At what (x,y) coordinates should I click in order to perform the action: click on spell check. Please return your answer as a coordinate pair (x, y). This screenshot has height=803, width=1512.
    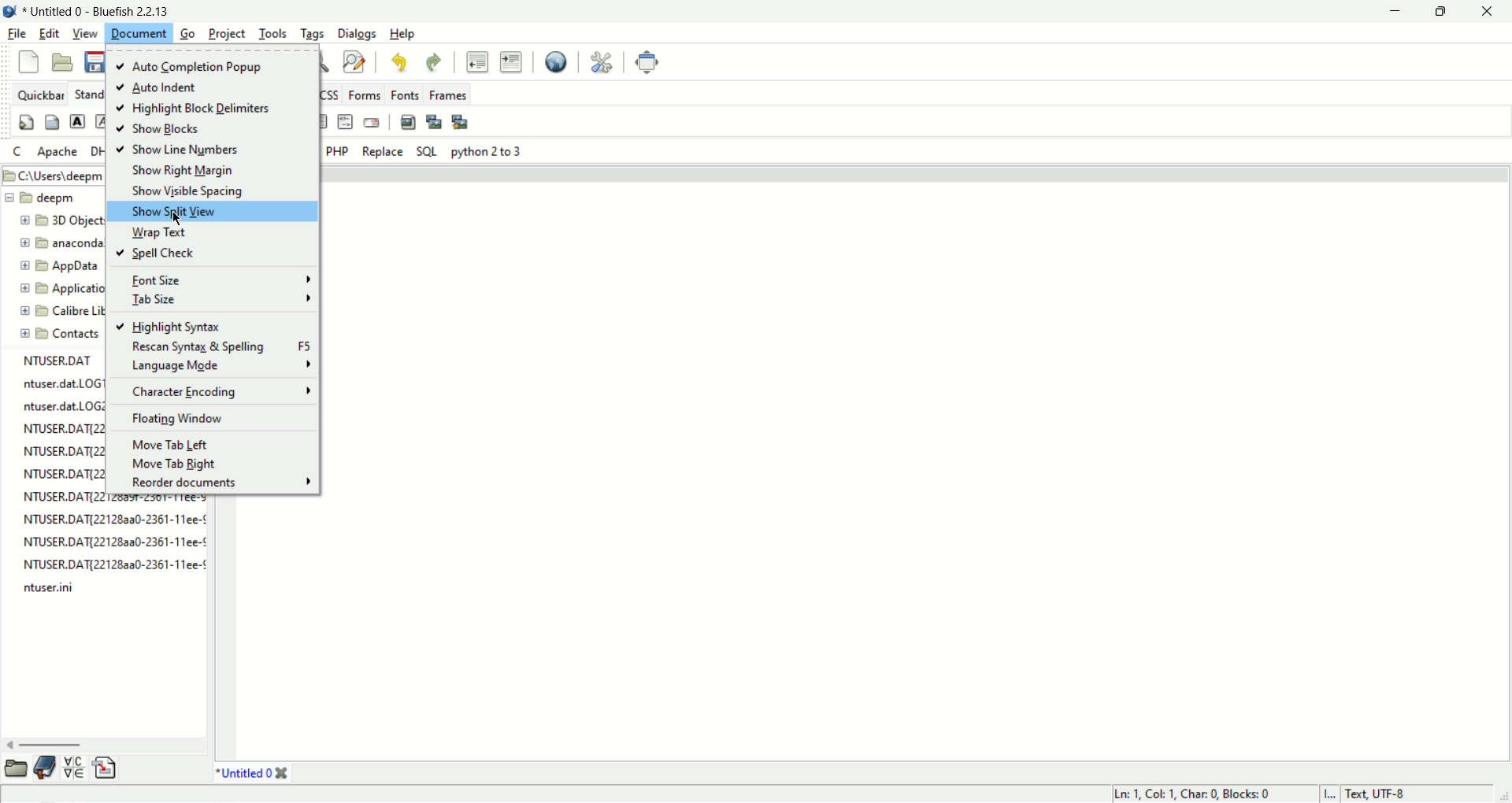
    Looking at the image, I should click on (164, 253).